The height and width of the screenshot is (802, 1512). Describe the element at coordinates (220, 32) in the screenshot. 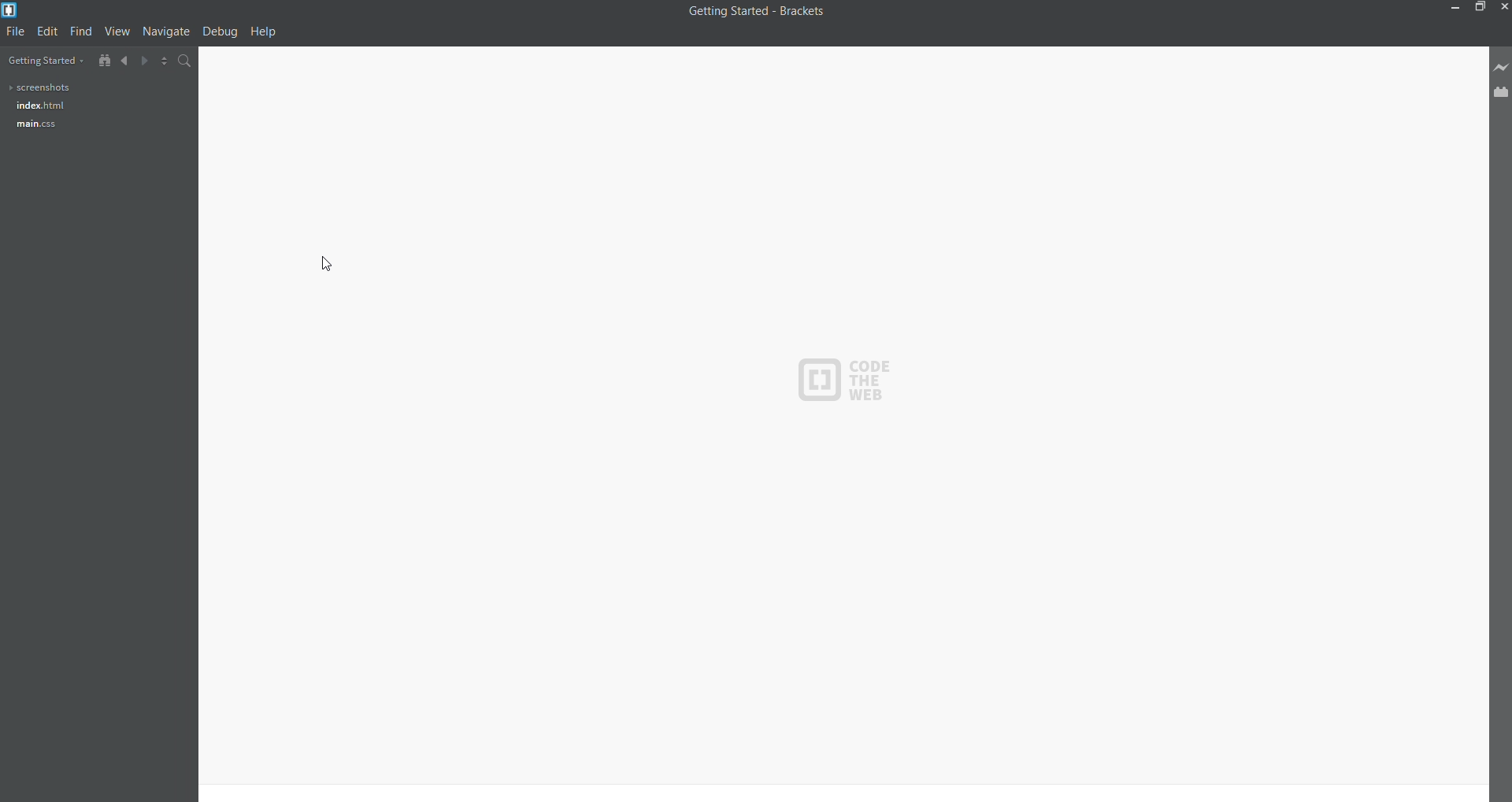

I see `debug` at that location.